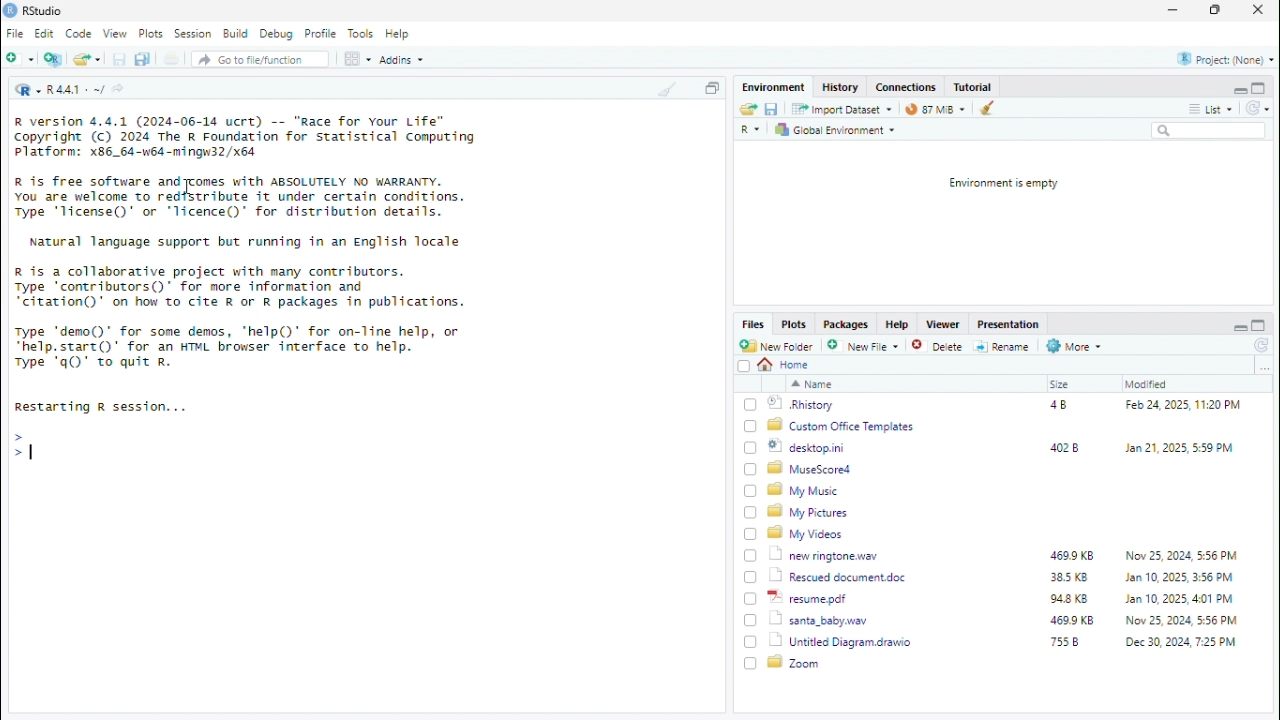 The image size is (1280, 720). Describe the element at coordinates (752, 130) in the screenshot. I see `R` at that location.